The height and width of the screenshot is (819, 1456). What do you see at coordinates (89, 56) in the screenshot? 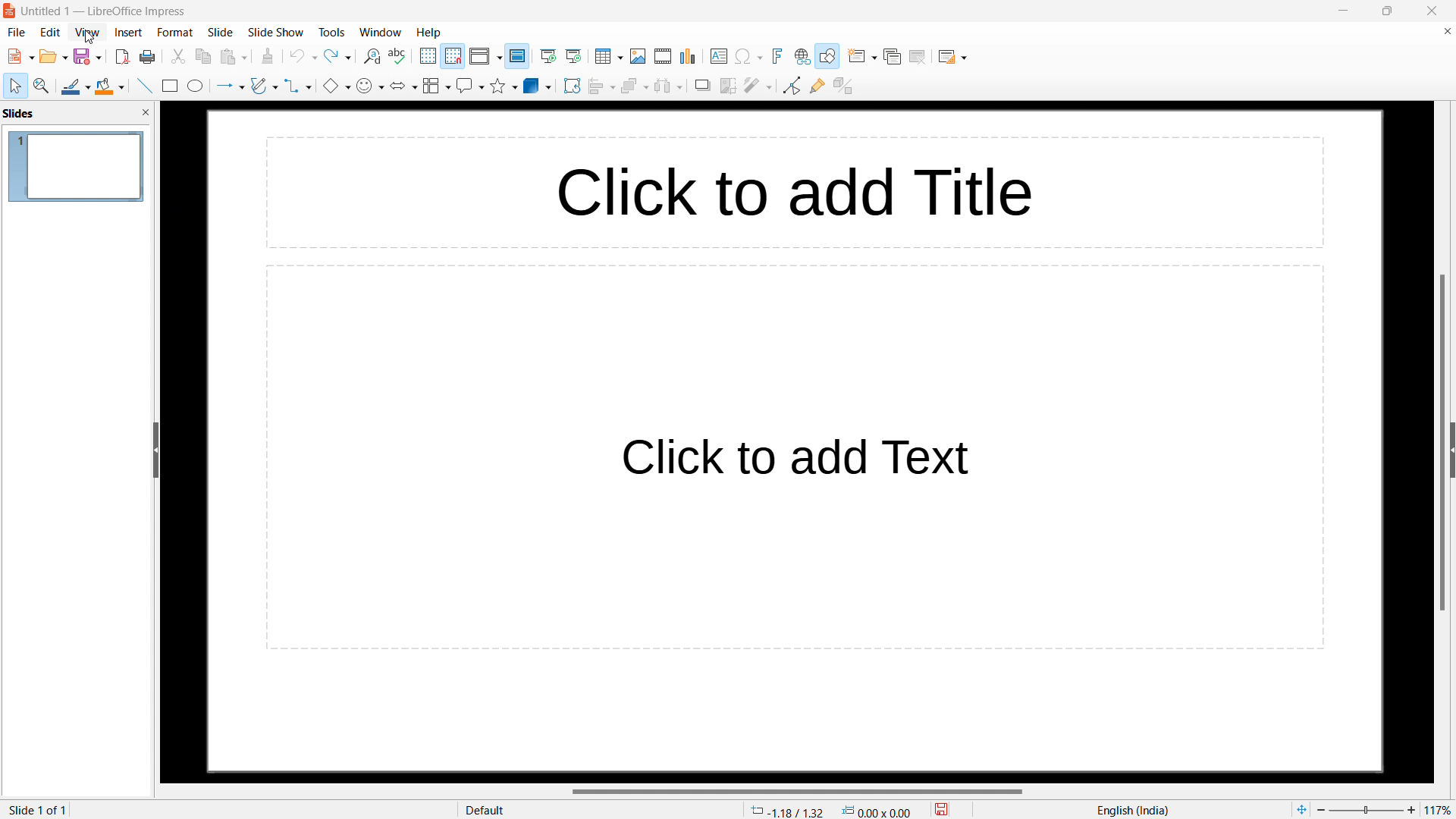
I see `save` at bounding box center [89, 56].